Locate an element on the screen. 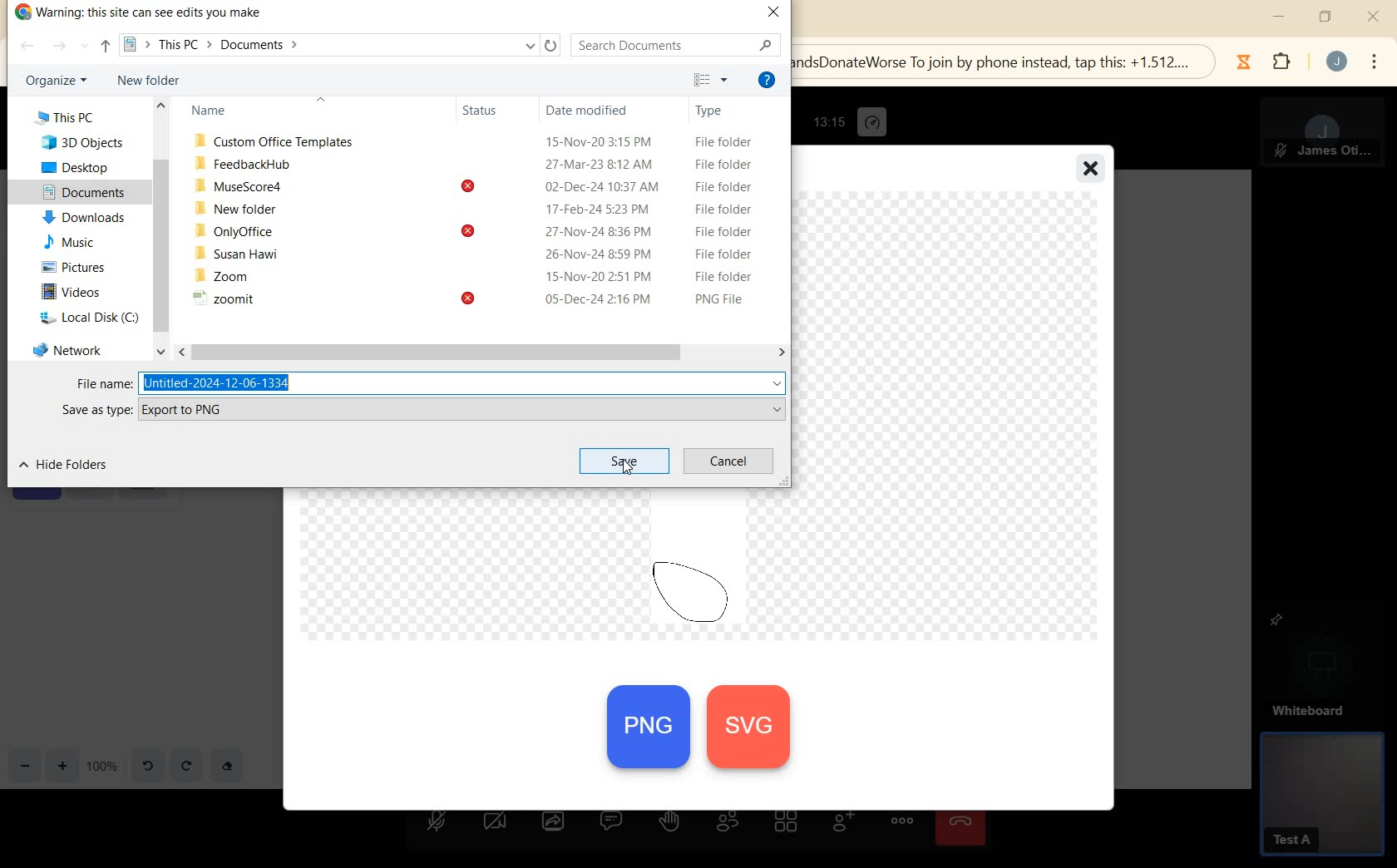   is located at coordinates (468, 186).